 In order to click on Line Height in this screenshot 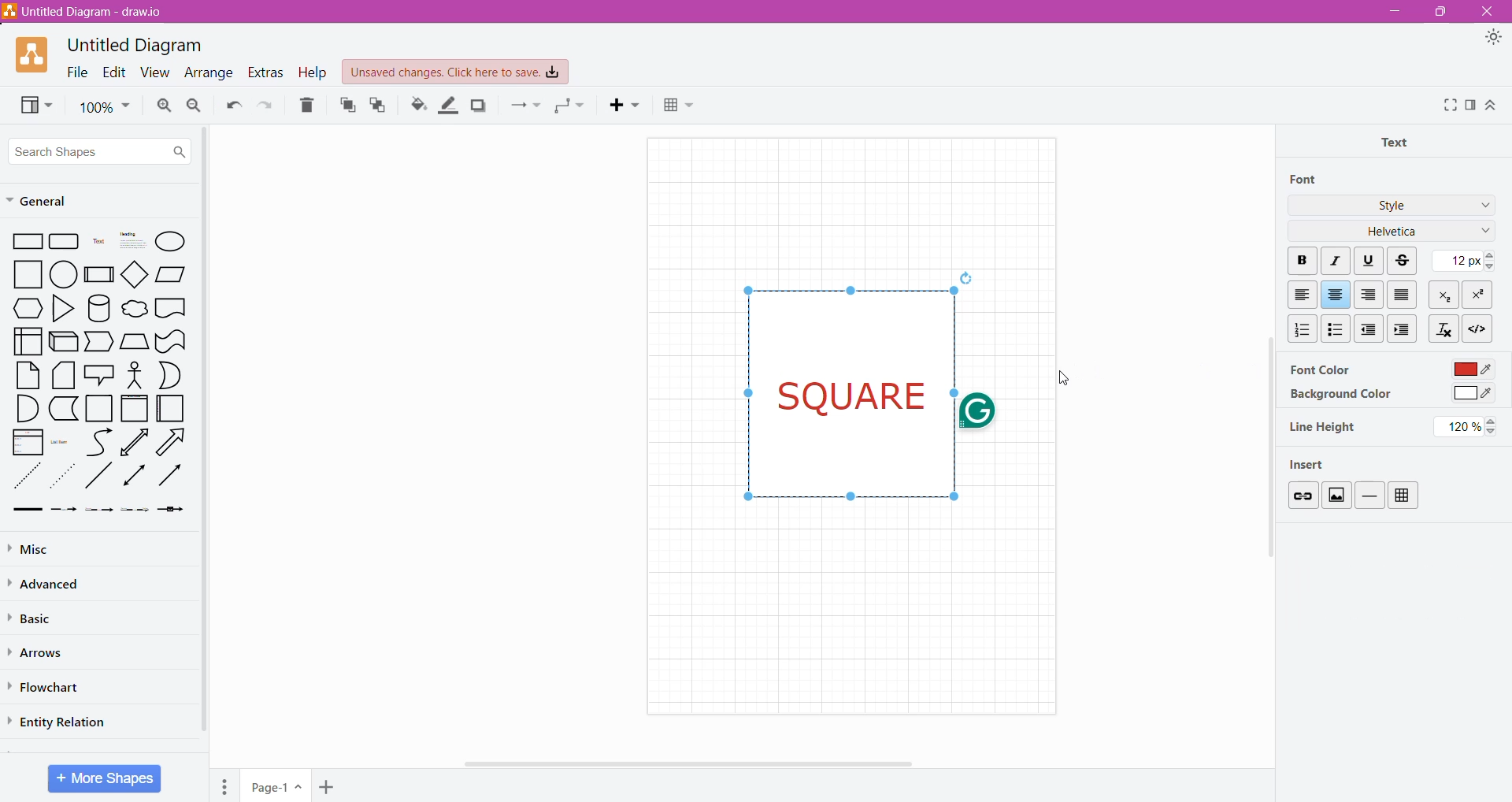, I will do `click(1324, 427)`.